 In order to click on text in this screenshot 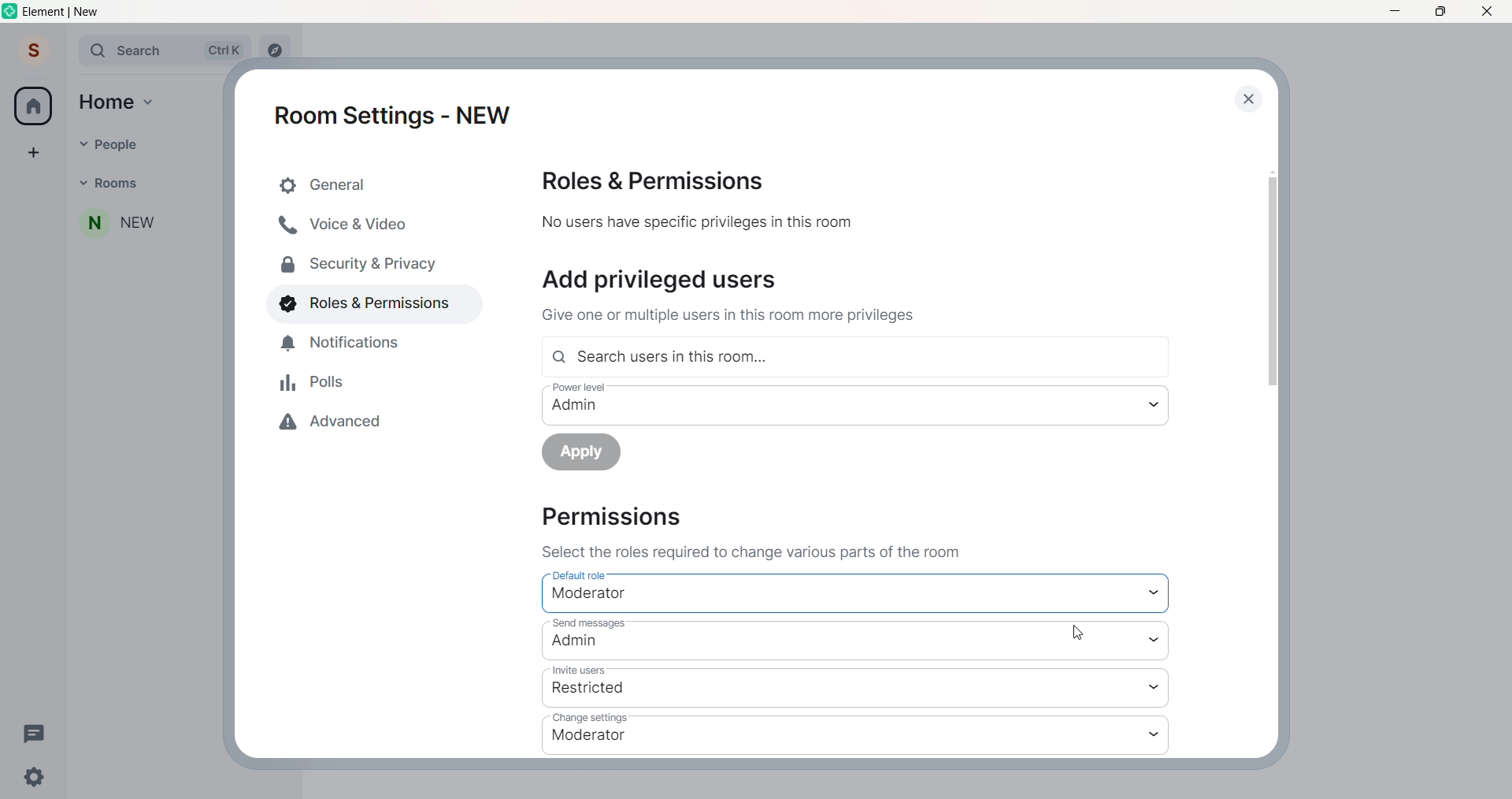, I will do `click(698, 223)`.